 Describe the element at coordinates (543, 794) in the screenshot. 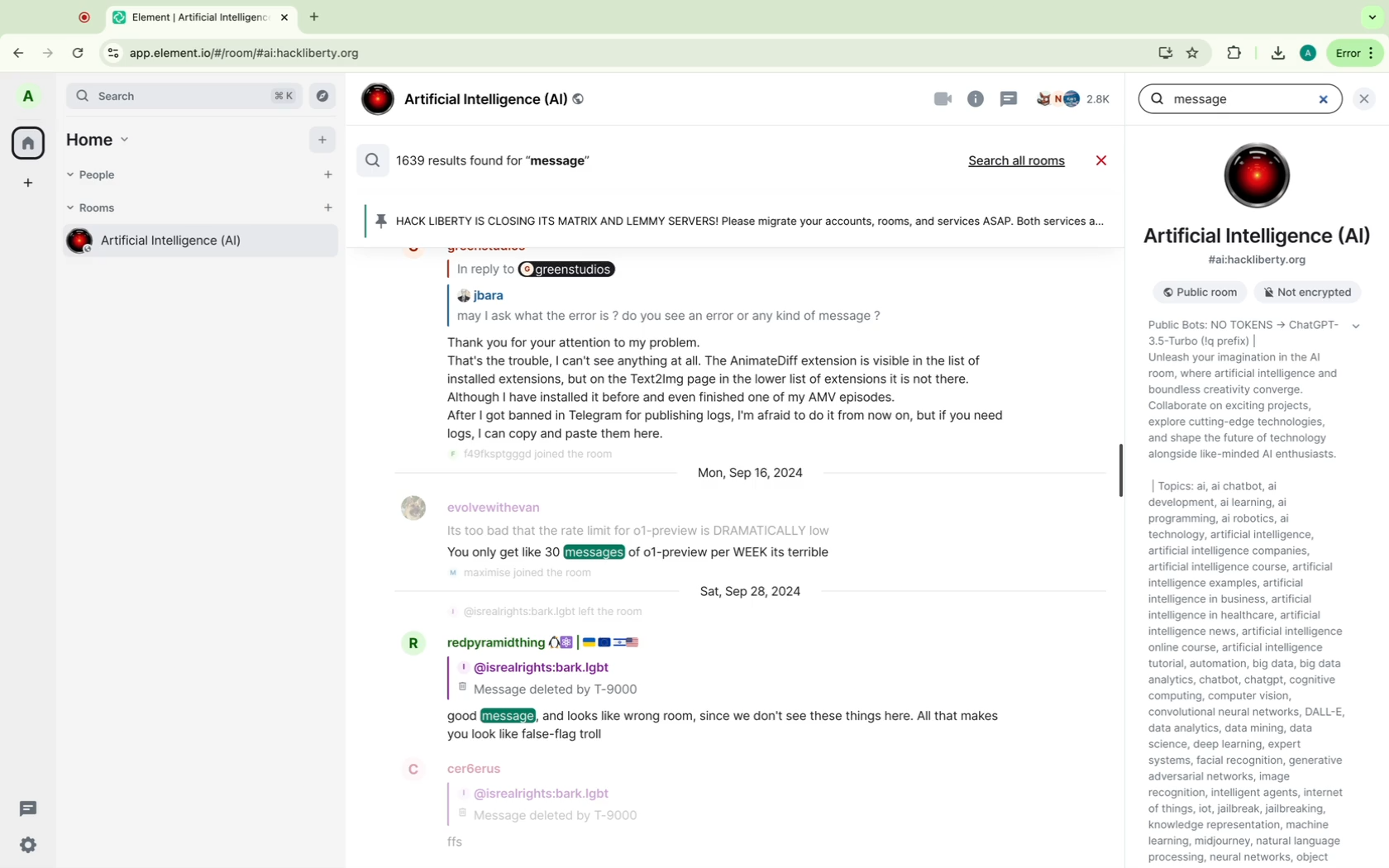

I see `profile` at that location.